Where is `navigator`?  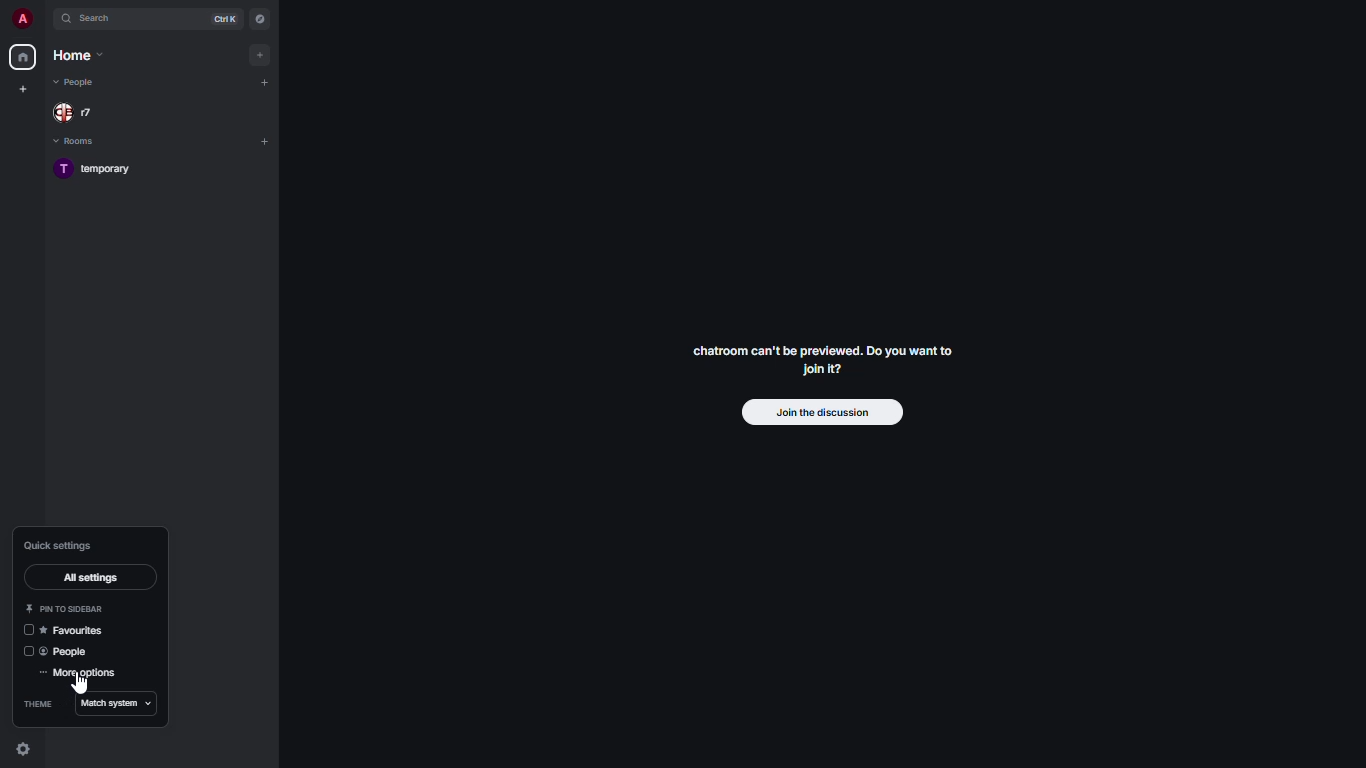 navigator is located at coordinates (260, 19).